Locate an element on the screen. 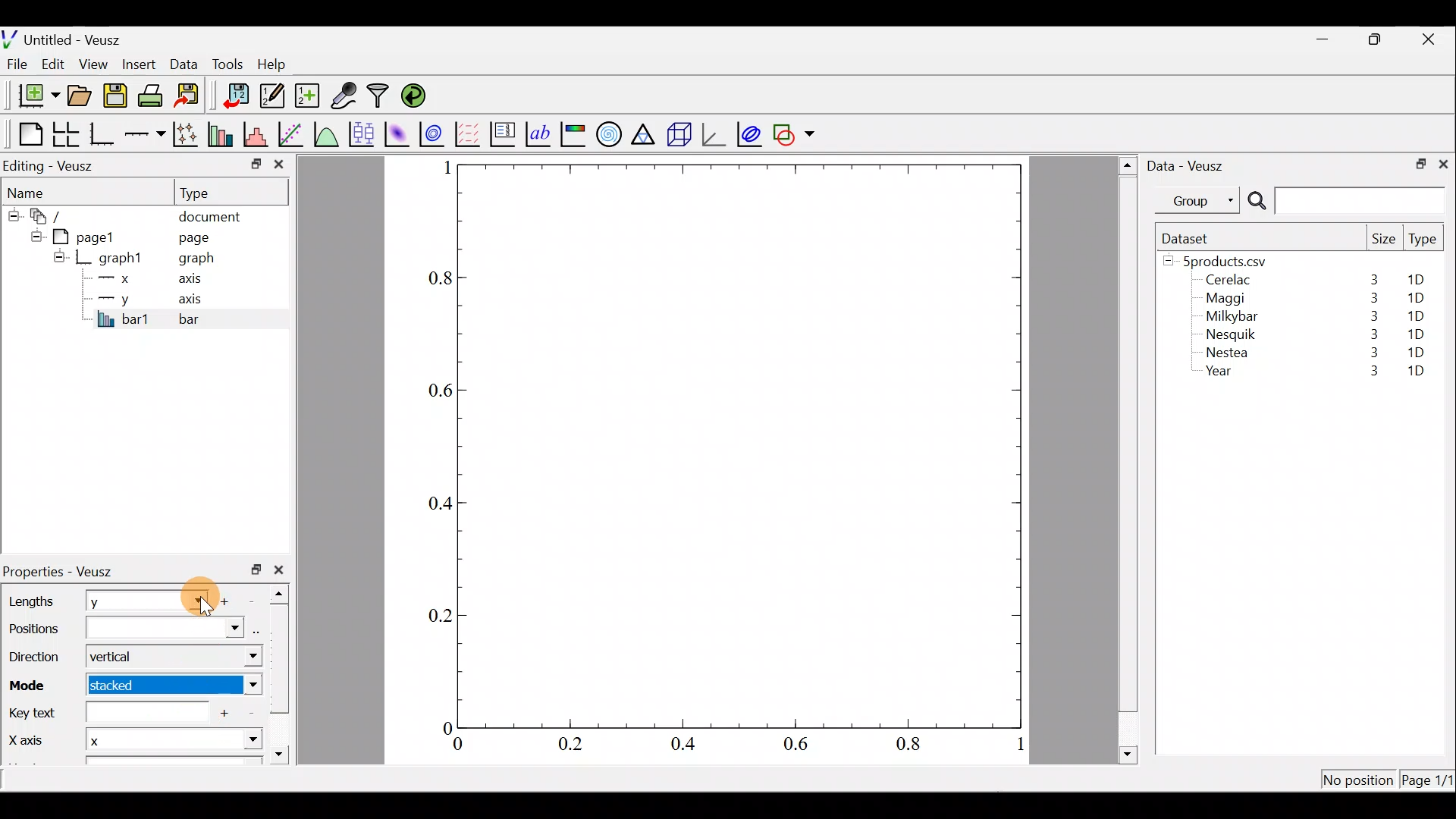 This screenshot has height=819, width=1456. 1D is located at coordinates (1421, 280).